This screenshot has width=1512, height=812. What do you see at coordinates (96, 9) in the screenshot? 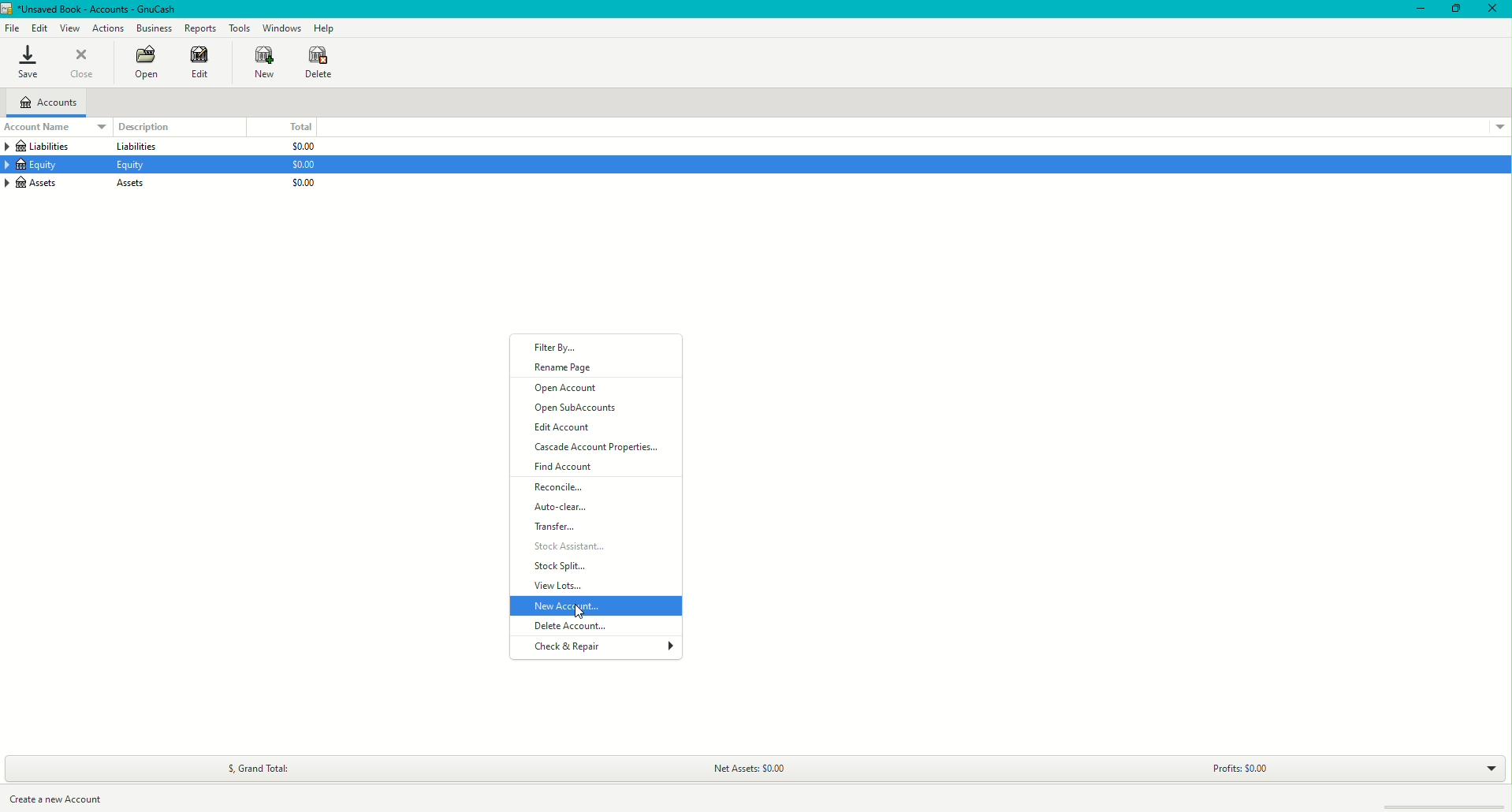
I see `unsaved book` at bounding box center [96, 9].